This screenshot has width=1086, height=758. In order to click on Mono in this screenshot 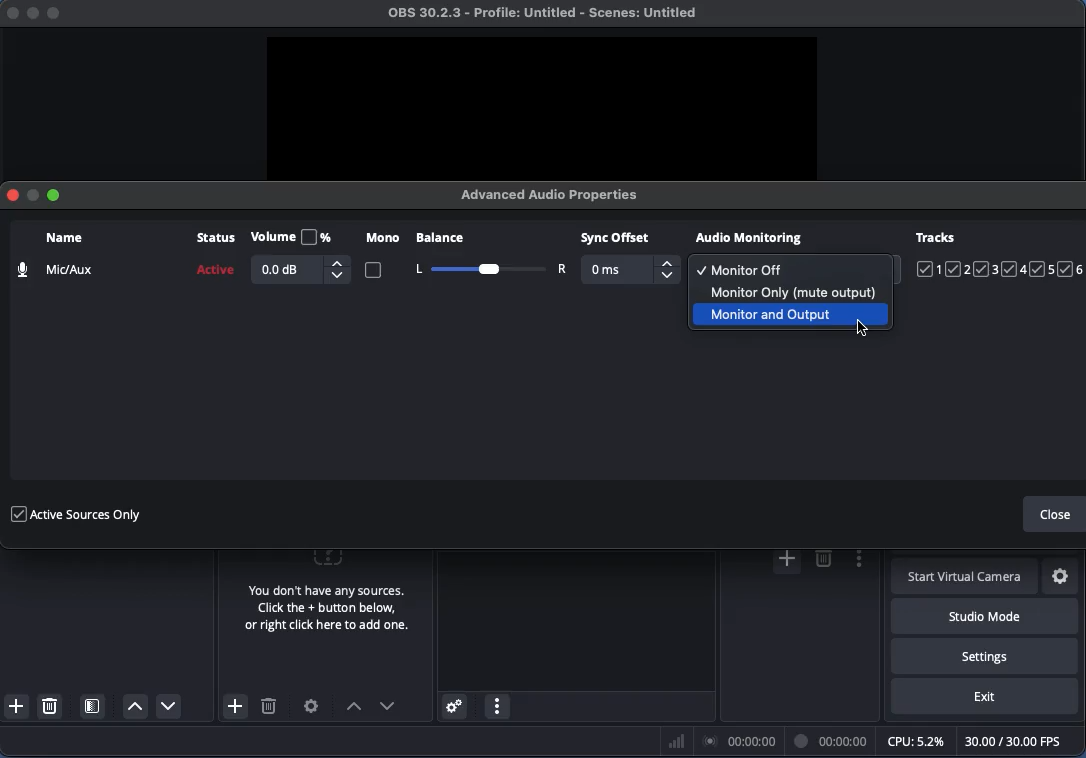, I will do `click(383, 257)`.